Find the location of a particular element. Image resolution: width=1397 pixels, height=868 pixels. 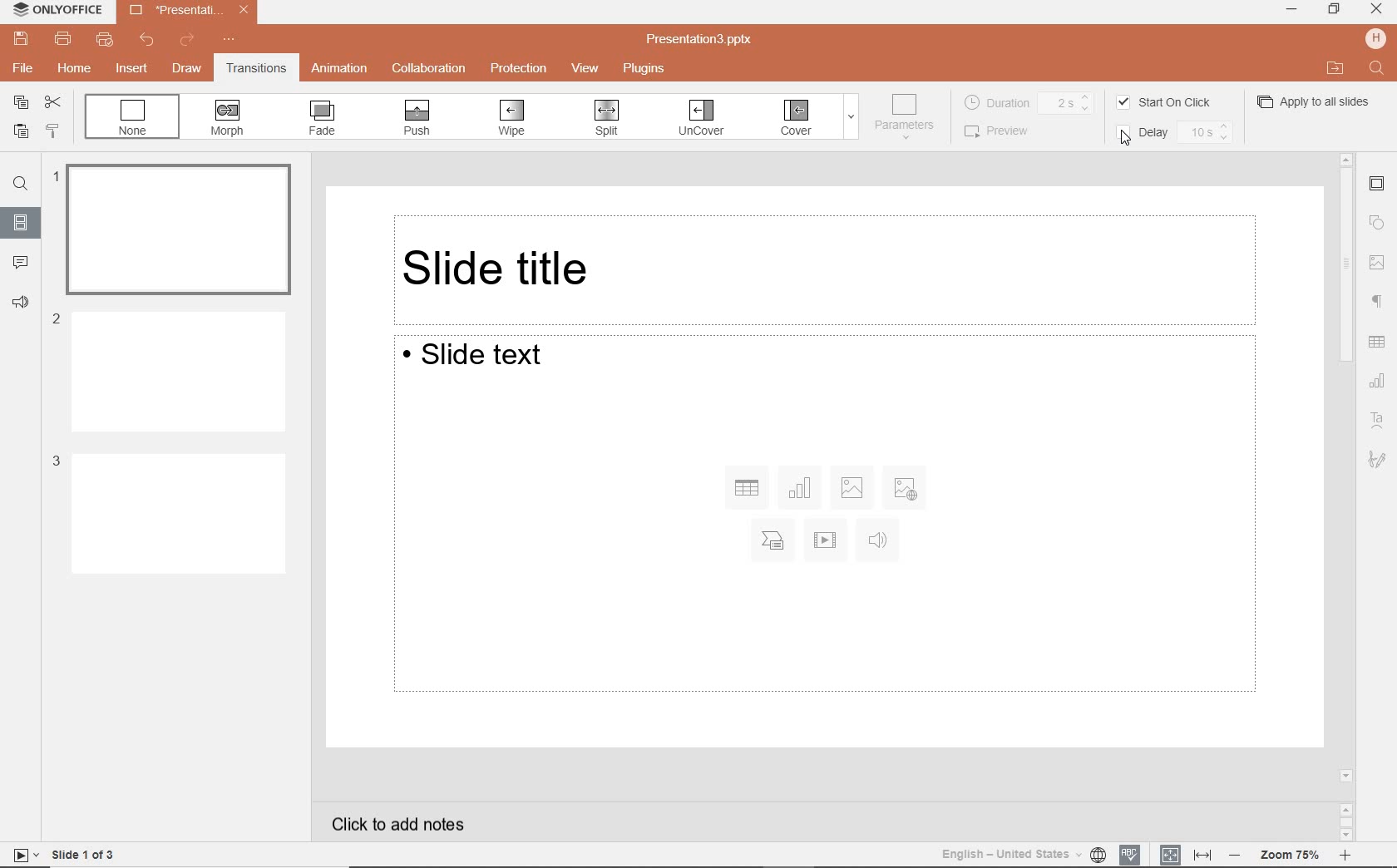

cut is located at coordinates (52, 104).